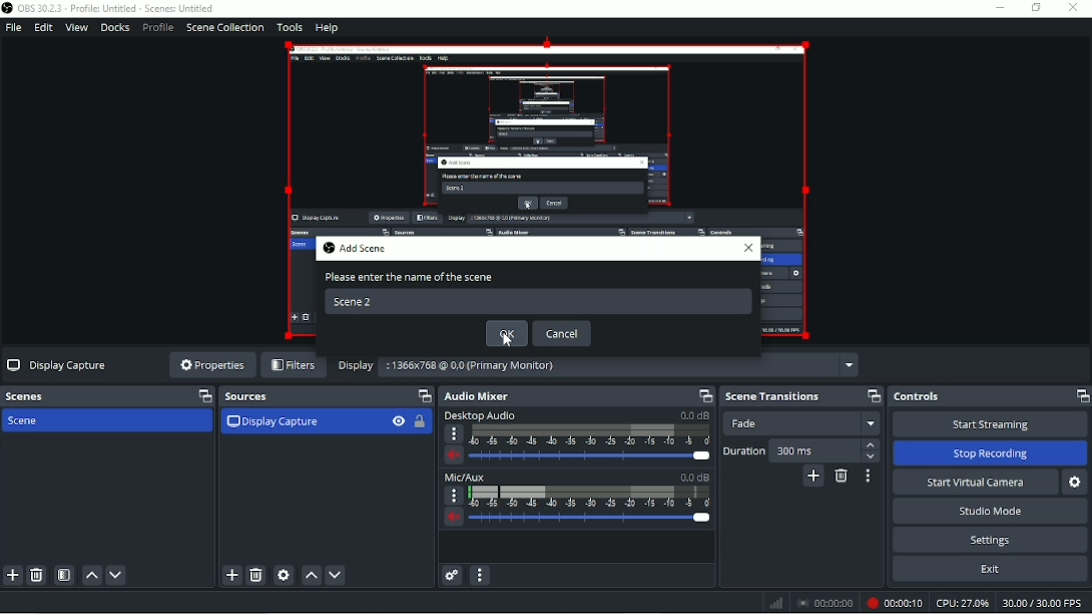 The width and height of the screenshot is (1092, 614). What do you see at coordinates (76, 28) in the screenshot?
I see `View` at bounding box center [76, 28].